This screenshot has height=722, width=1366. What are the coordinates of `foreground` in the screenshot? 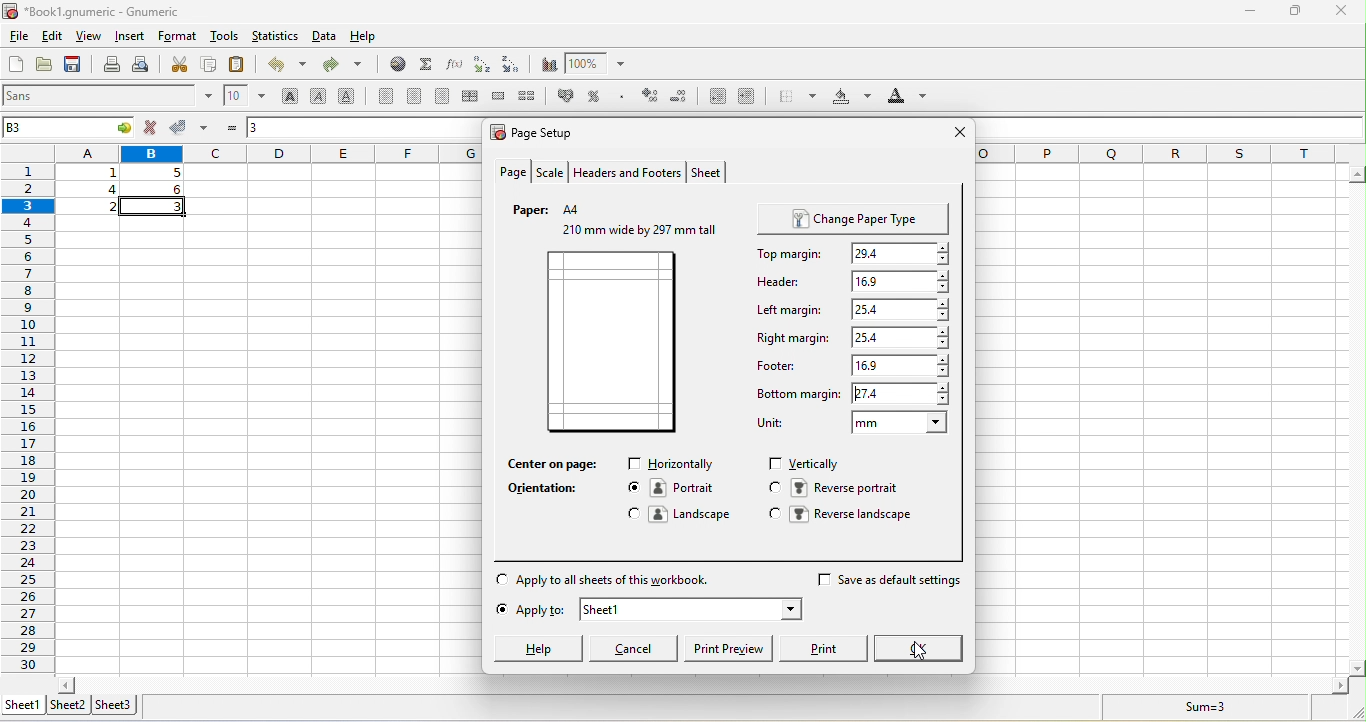 It's located at (907, 99).